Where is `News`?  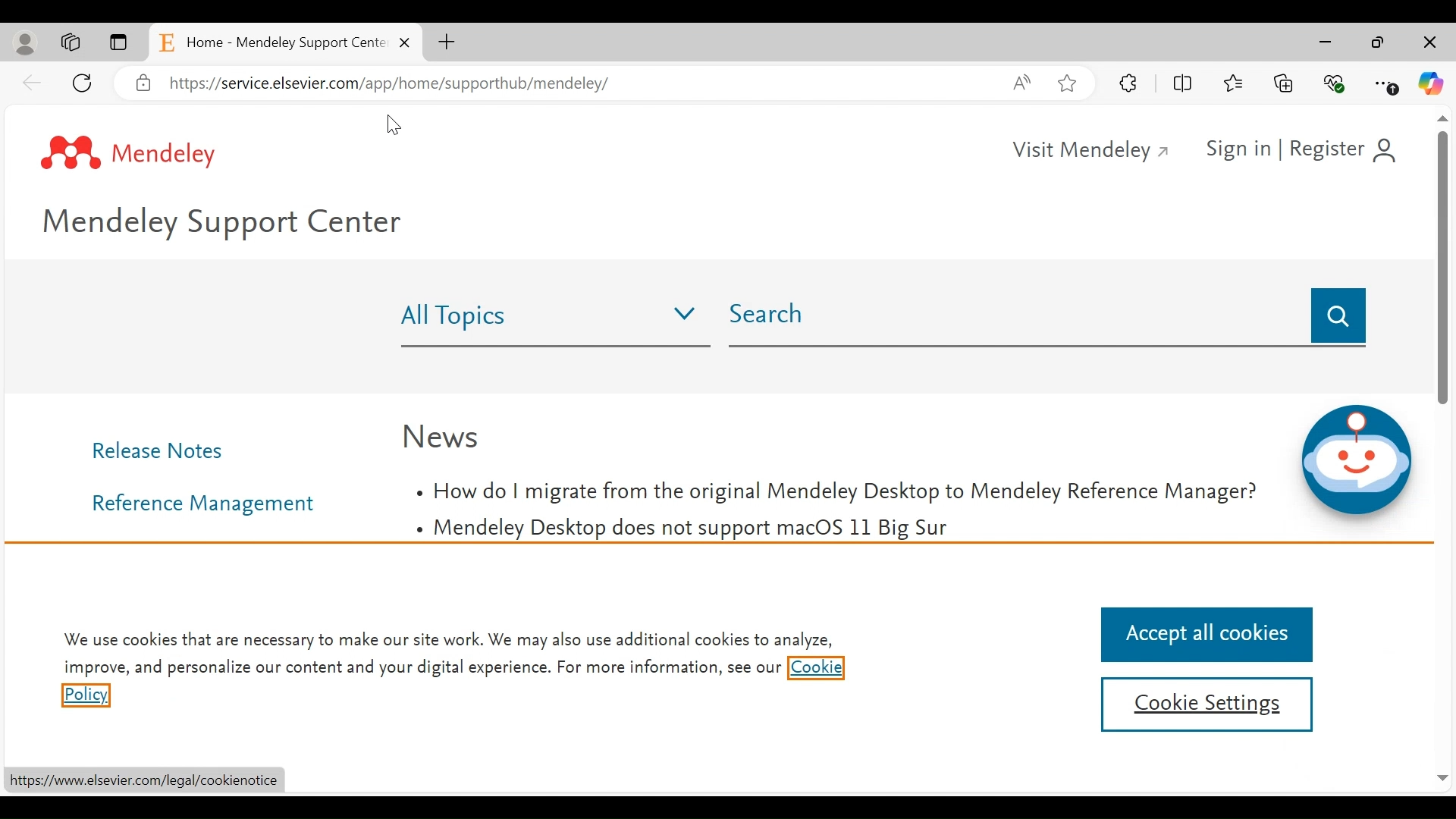
News is located at coordinates (442, 436).